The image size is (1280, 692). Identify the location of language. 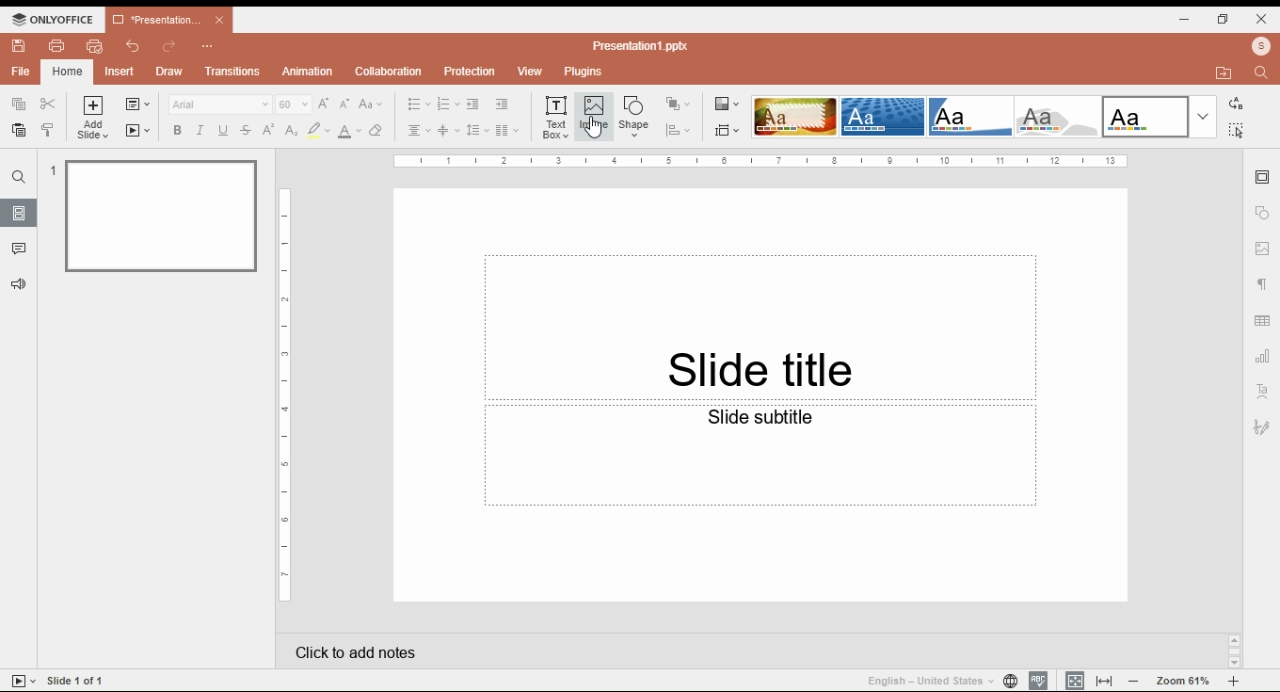
(935, 682).